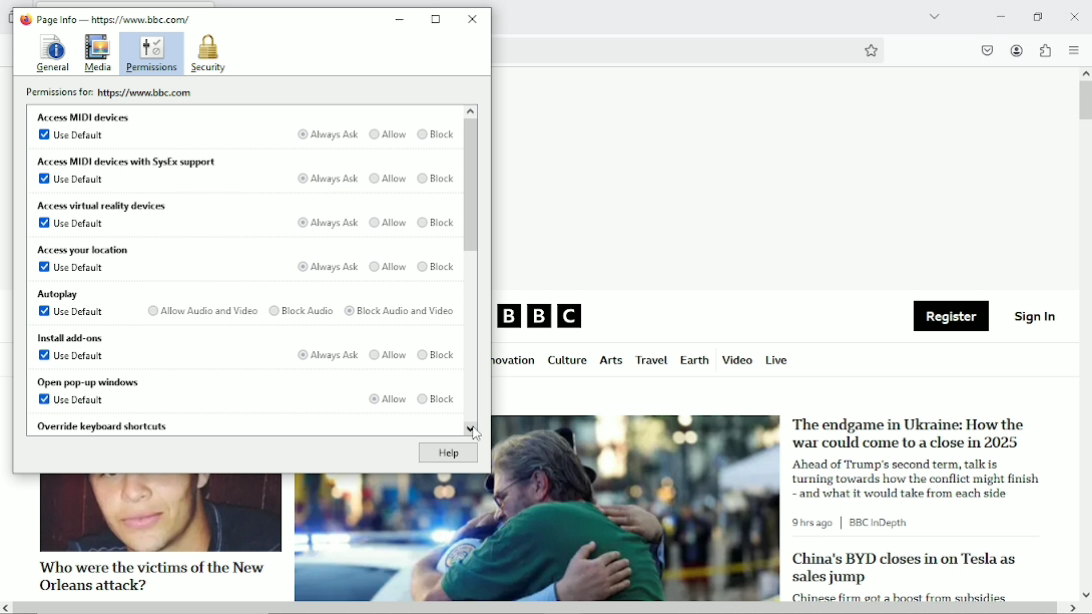 The height and width of the screenshot is (614, 1092). Describe the element at coordinates (470, 185) in the screenshot. I see `scroll bar` at that location.